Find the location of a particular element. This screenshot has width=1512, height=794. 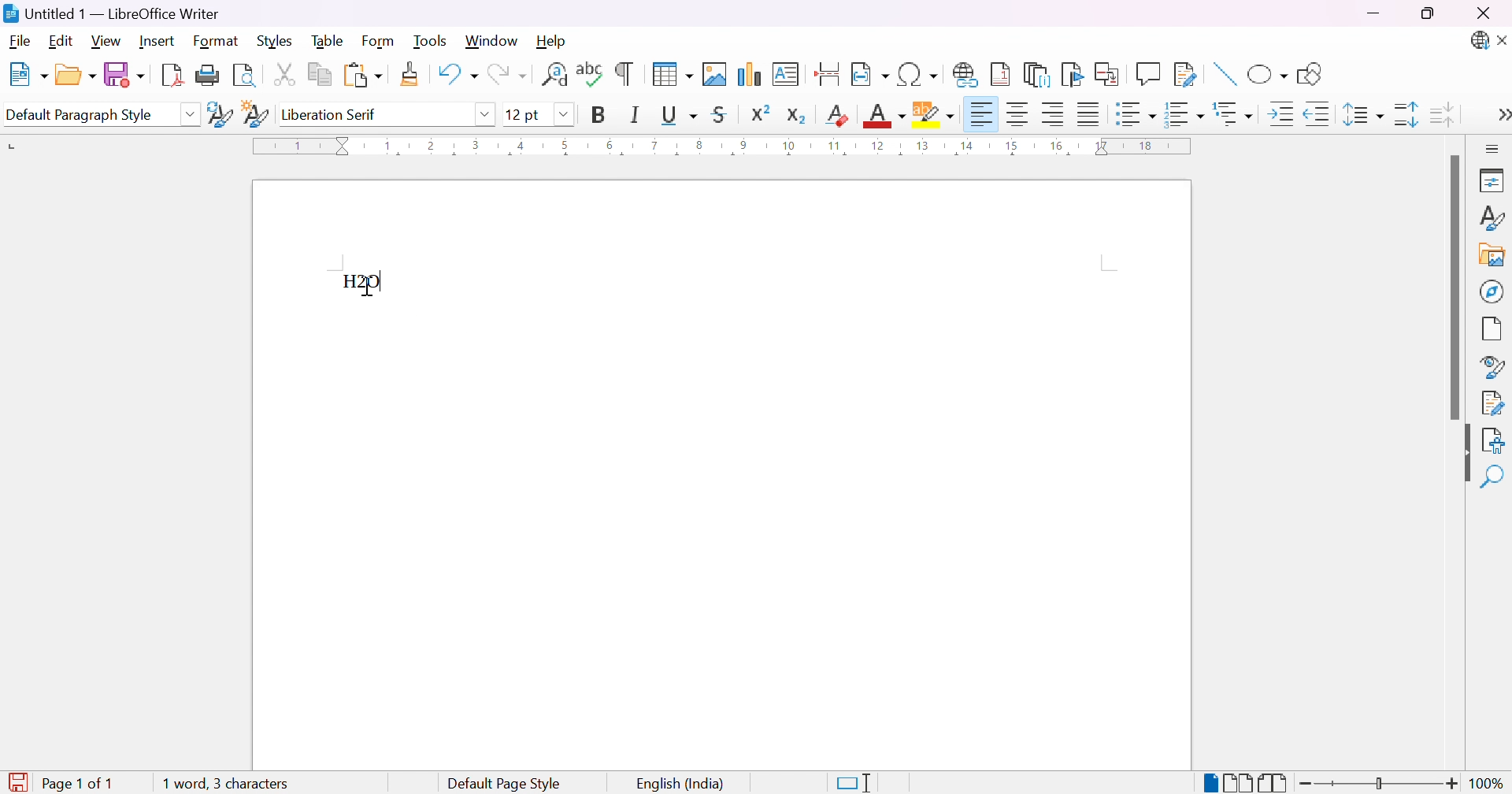

Properties is located at coordinates (1494, 180).